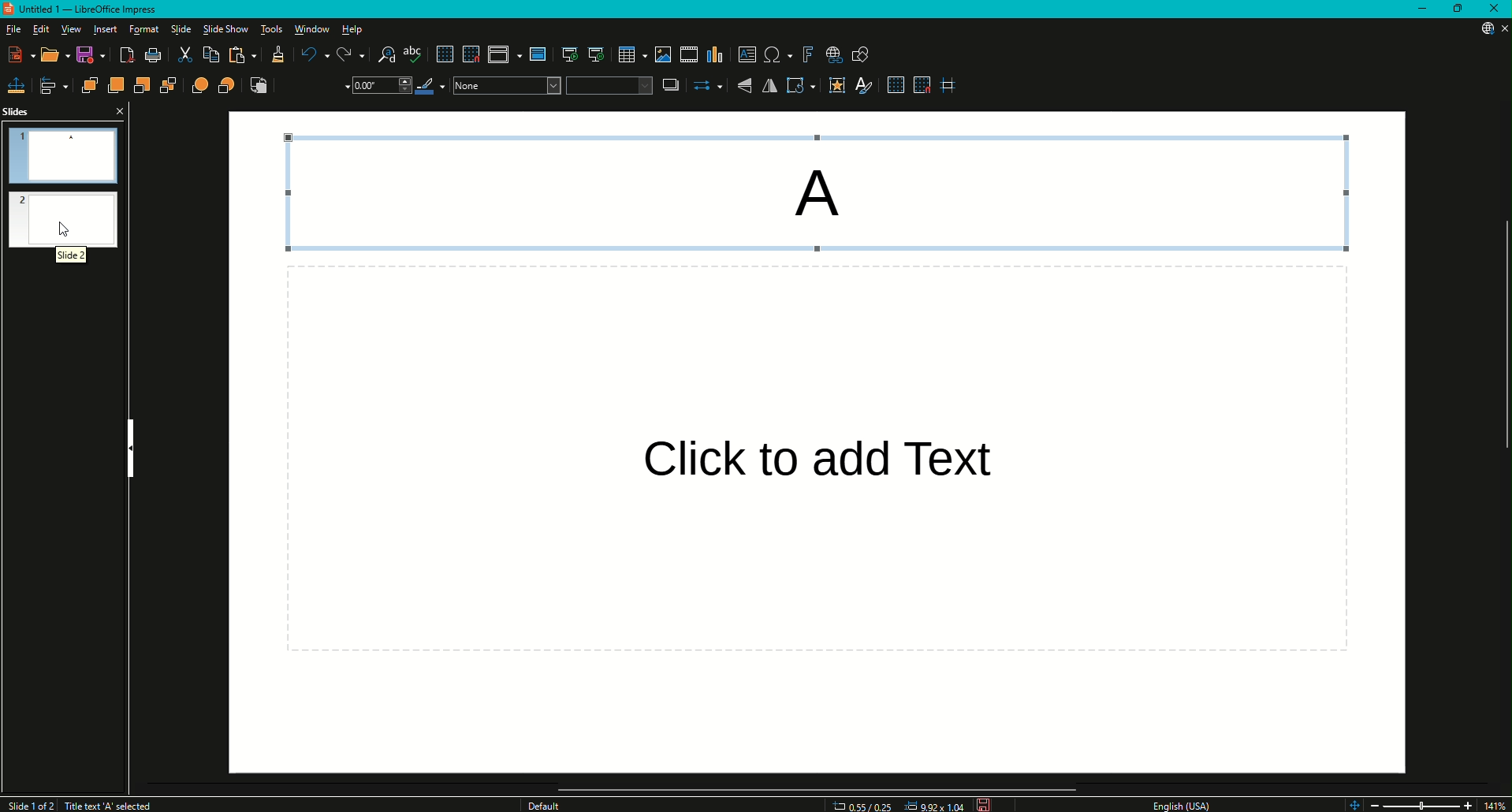 The image size is (1512, 812). Describe the element at coordinates (28, 803) in the screenshot. I see `Slide 1 of 2` at that location.